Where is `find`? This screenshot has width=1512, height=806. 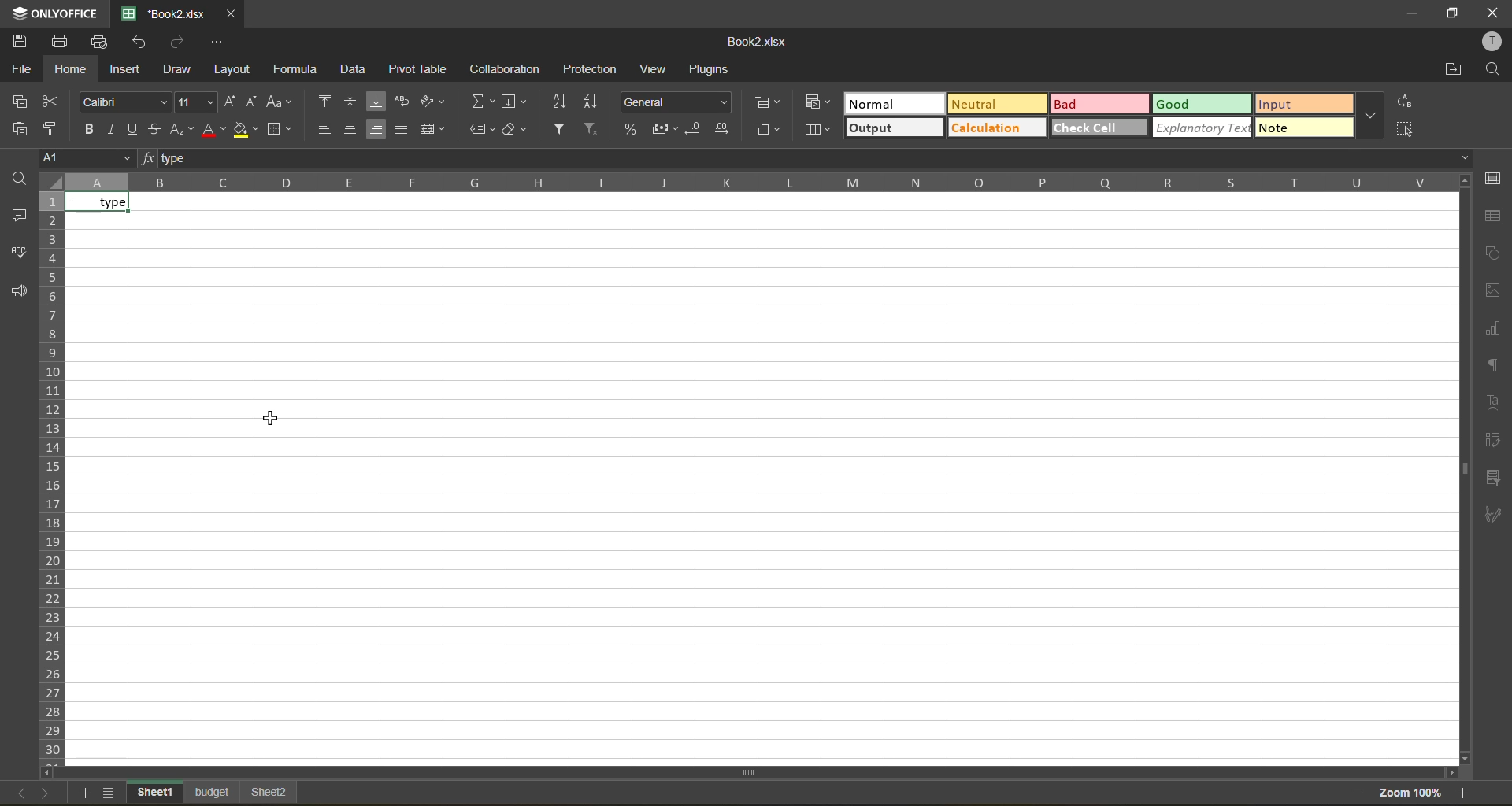 find is located at coordinates (24, 177).